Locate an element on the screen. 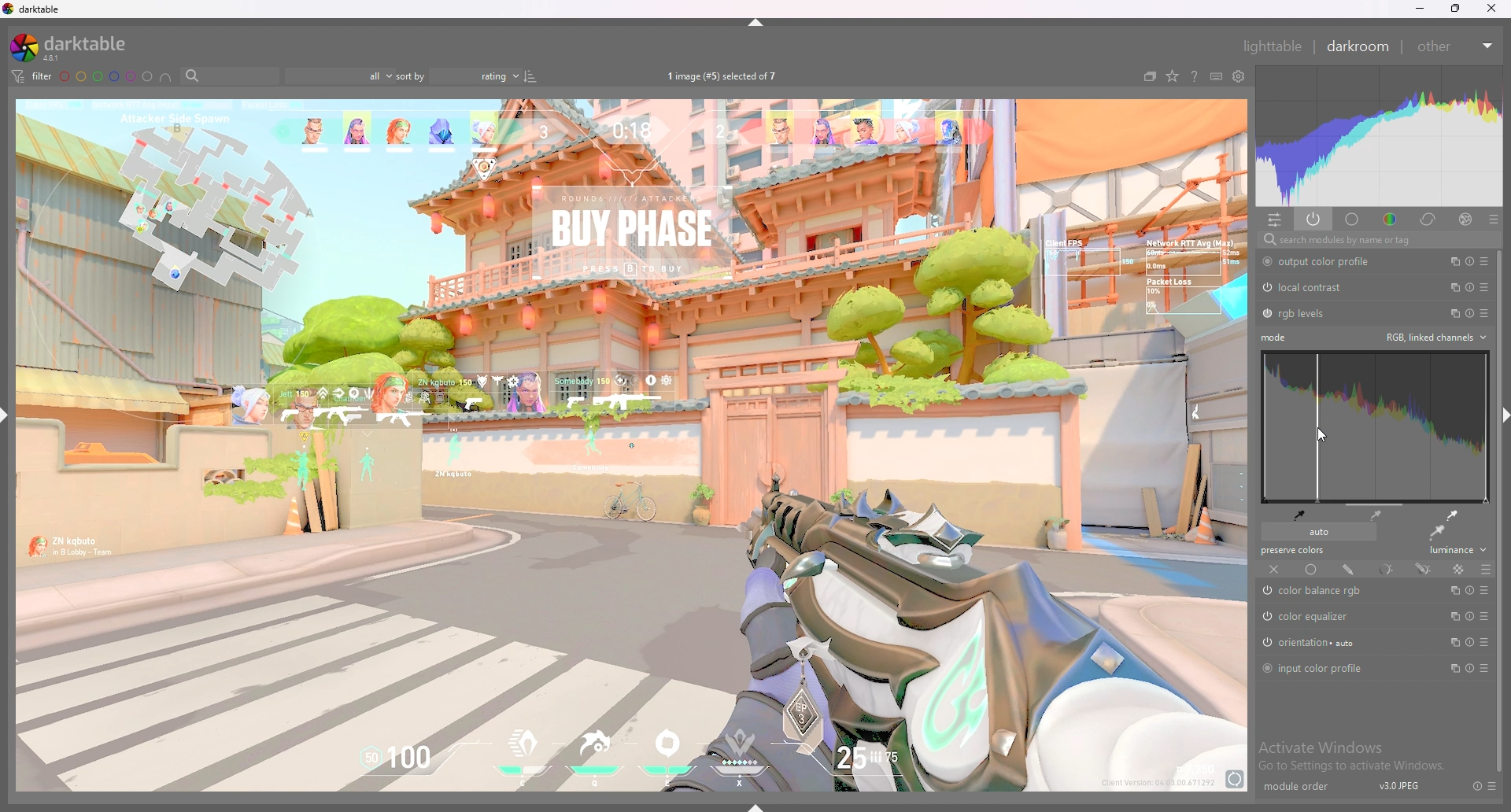  close is located at coordinates (1492, 9).